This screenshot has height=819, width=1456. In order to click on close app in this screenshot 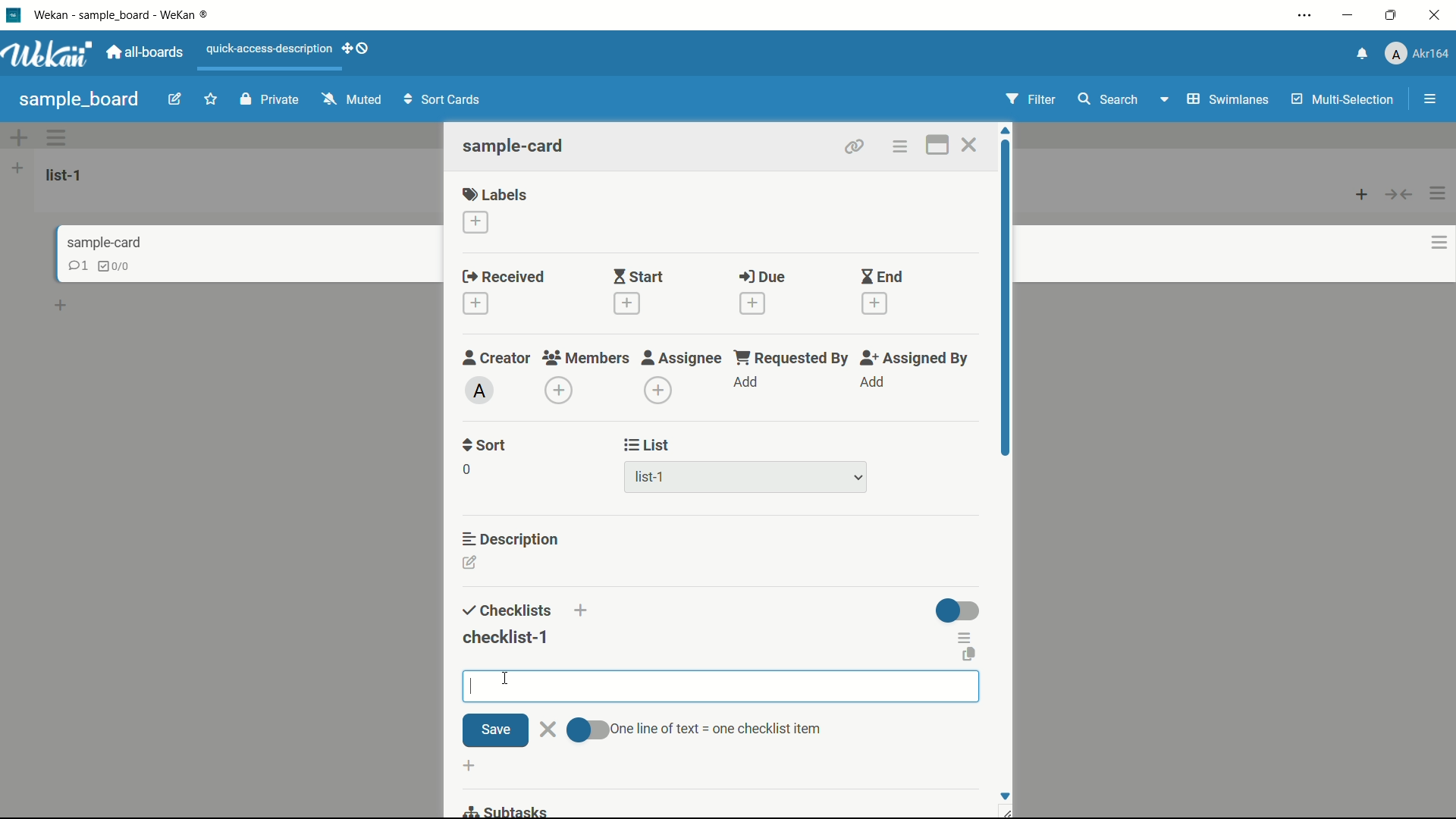, I will do `click(1438, 16)`.